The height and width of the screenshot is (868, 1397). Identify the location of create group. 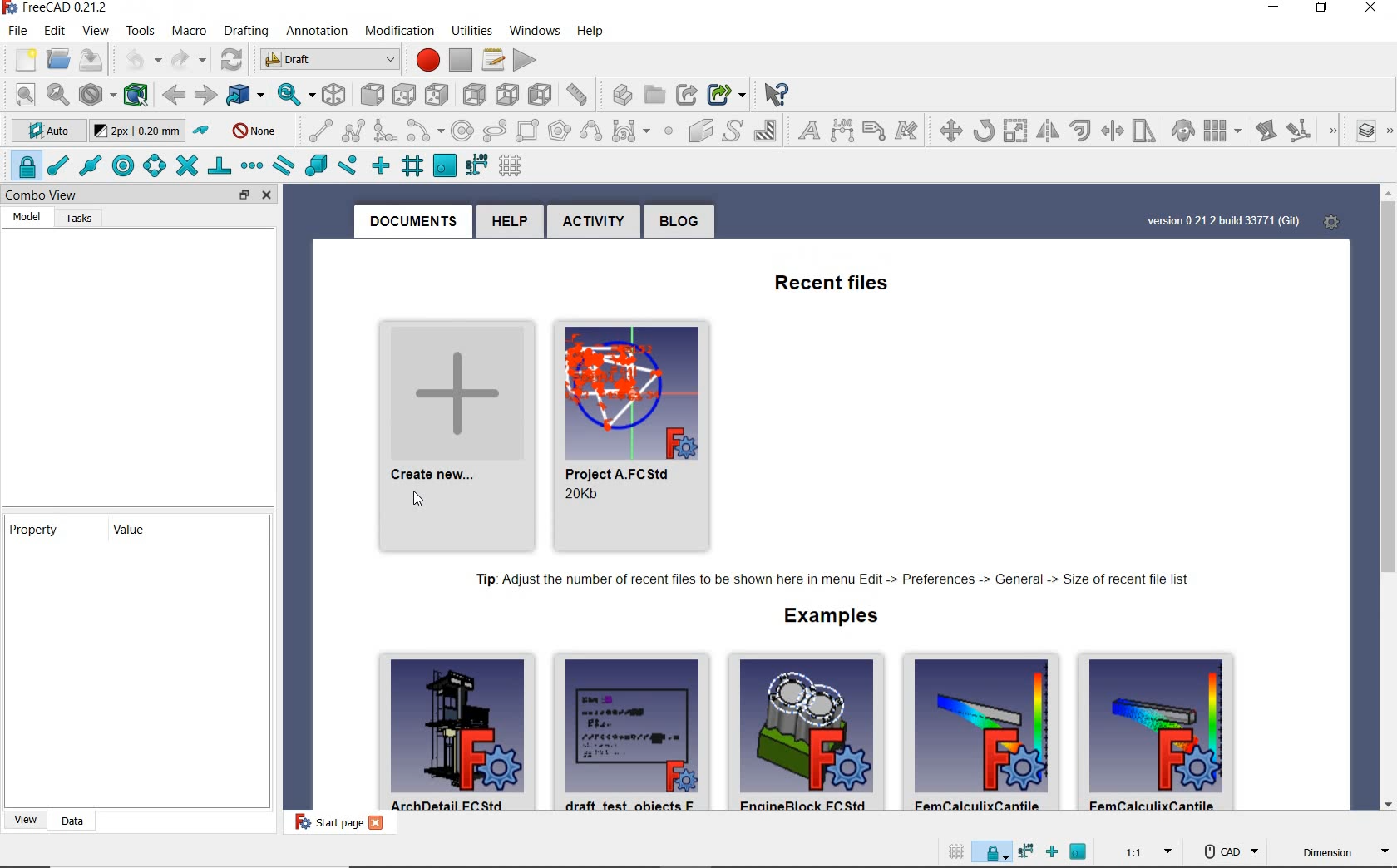
(628, 94).